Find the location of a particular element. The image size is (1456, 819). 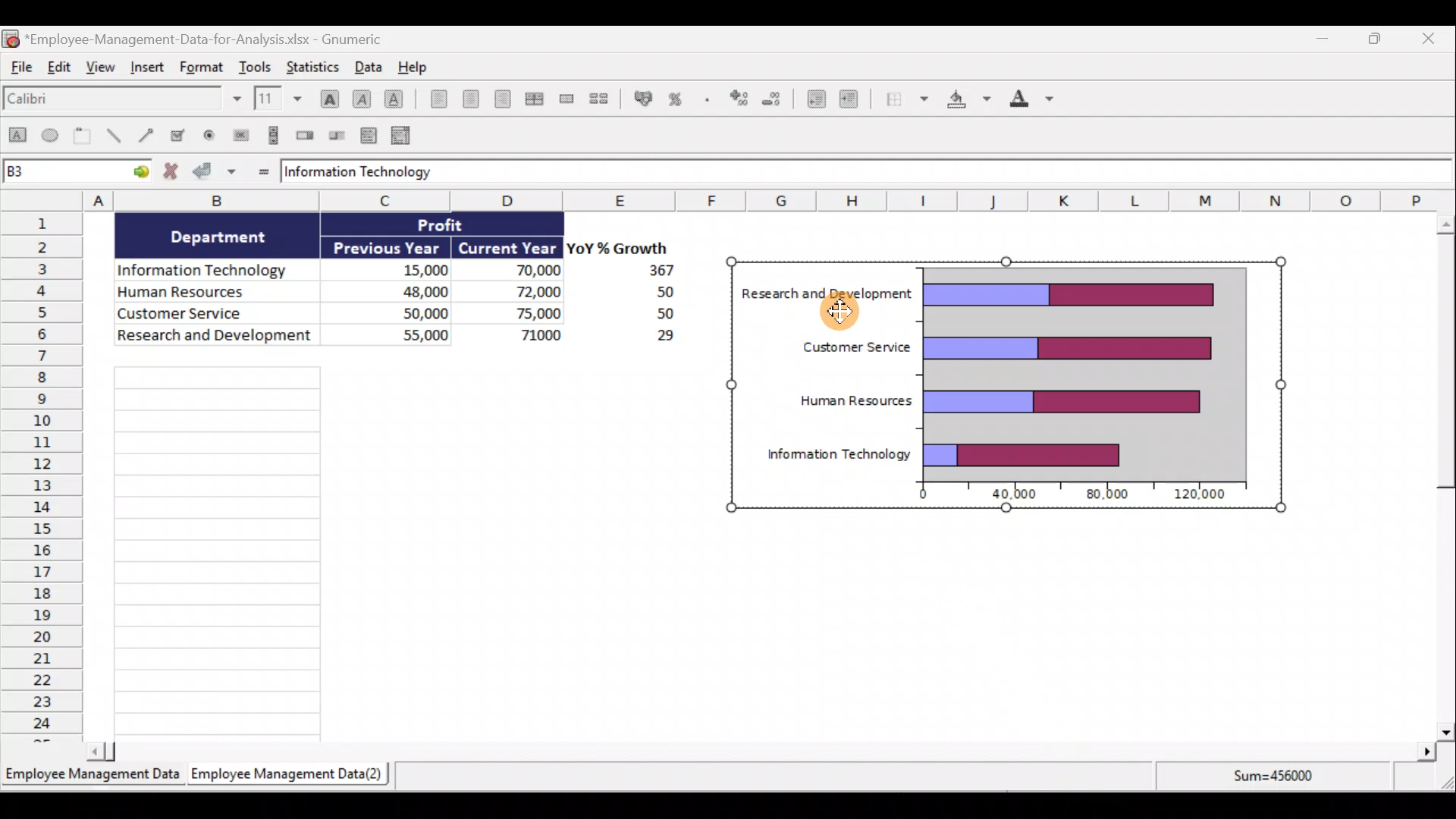

Department is located at coordinates (228, 237).